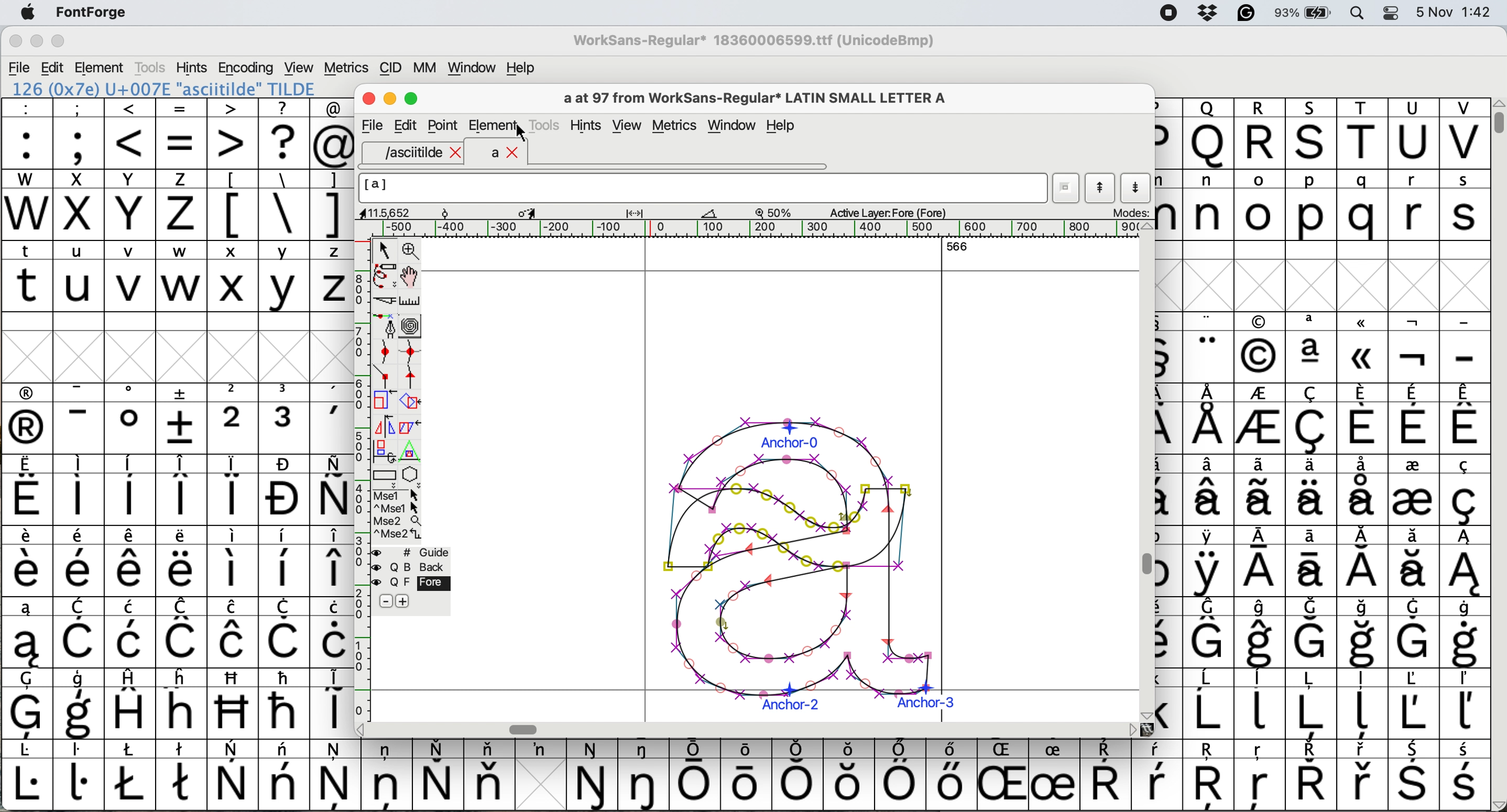 The image size is (1507, 812). What do you see at coordinates (1463, 704) in the screenshot?
I see `symbol` at bounding box center [1463, 704].